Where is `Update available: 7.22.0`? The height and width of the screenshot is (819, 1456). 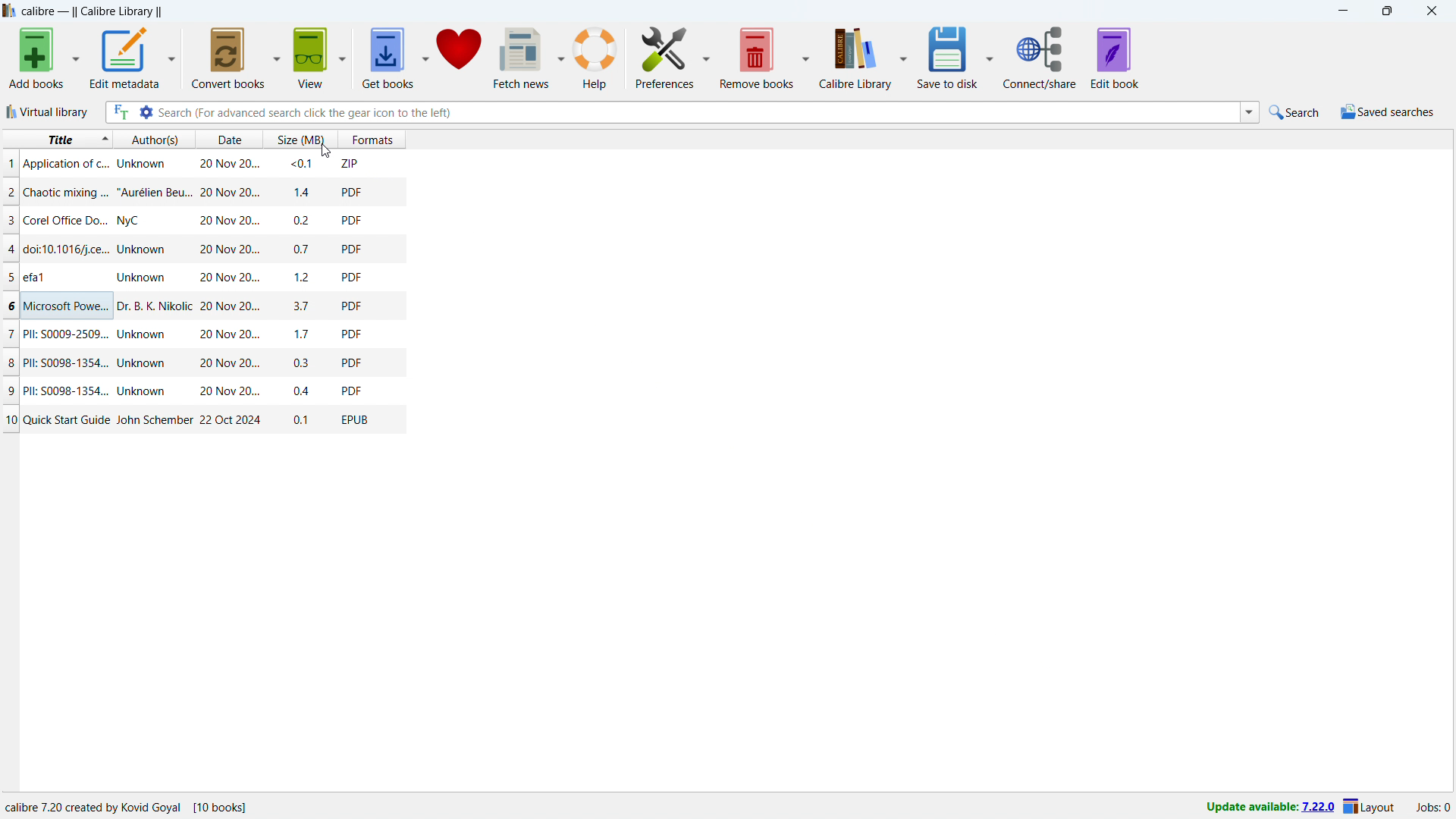
Update available: 7.22.0 is located at coordinates (1266, 805).